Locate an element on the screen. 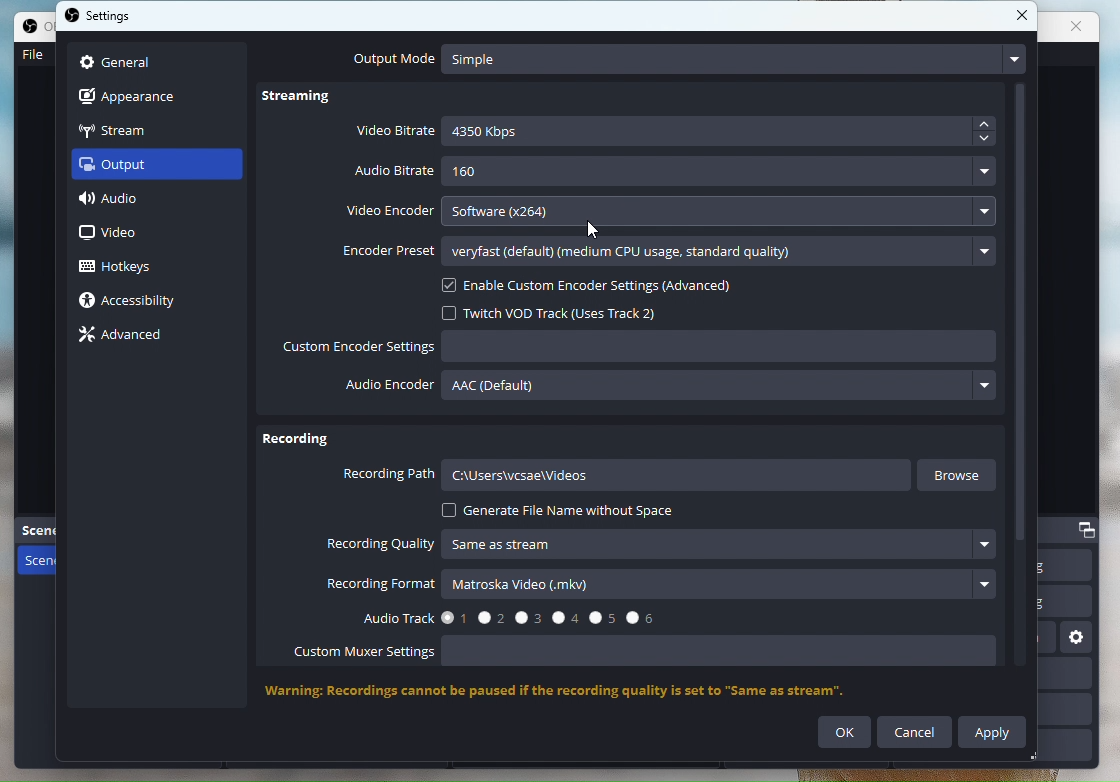 The width and height of the screenshot is (1120, 782). Cancel is located at coordinates (915, 732).